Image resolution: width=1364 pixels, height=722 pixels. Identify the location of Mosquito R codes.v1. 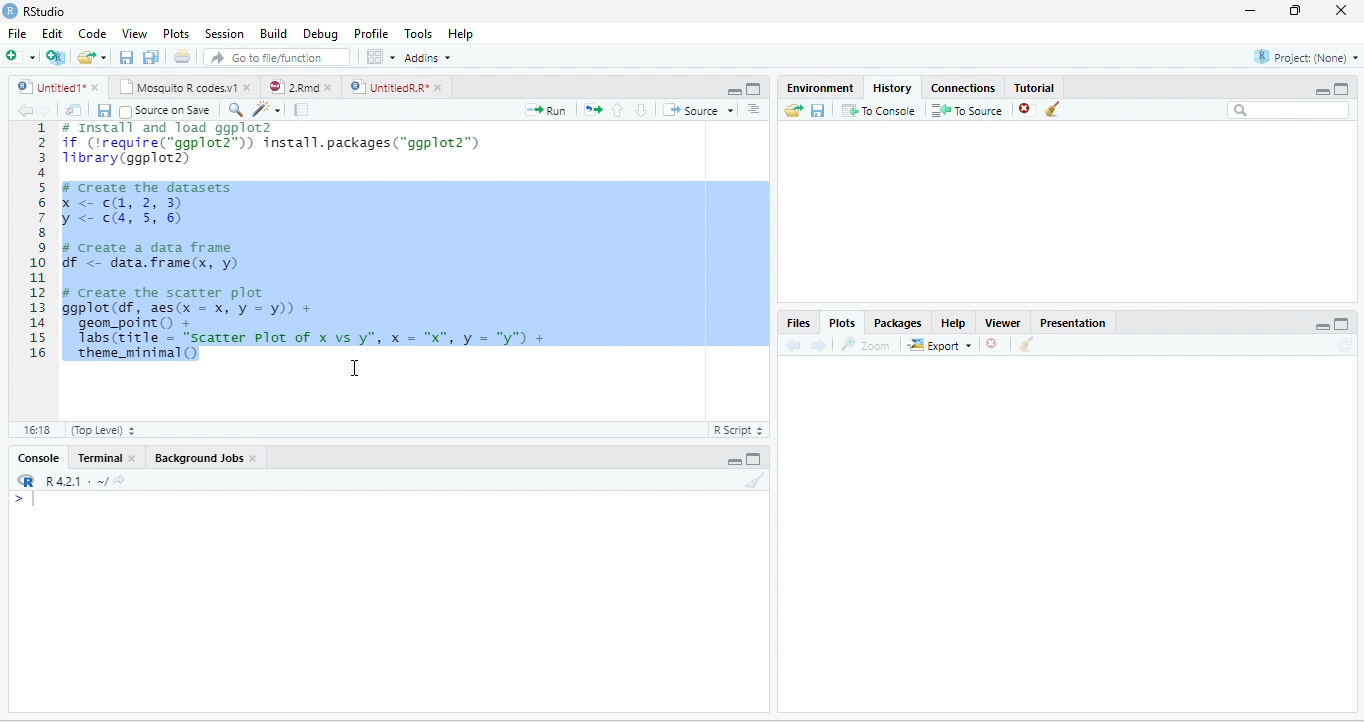
(176, 87).